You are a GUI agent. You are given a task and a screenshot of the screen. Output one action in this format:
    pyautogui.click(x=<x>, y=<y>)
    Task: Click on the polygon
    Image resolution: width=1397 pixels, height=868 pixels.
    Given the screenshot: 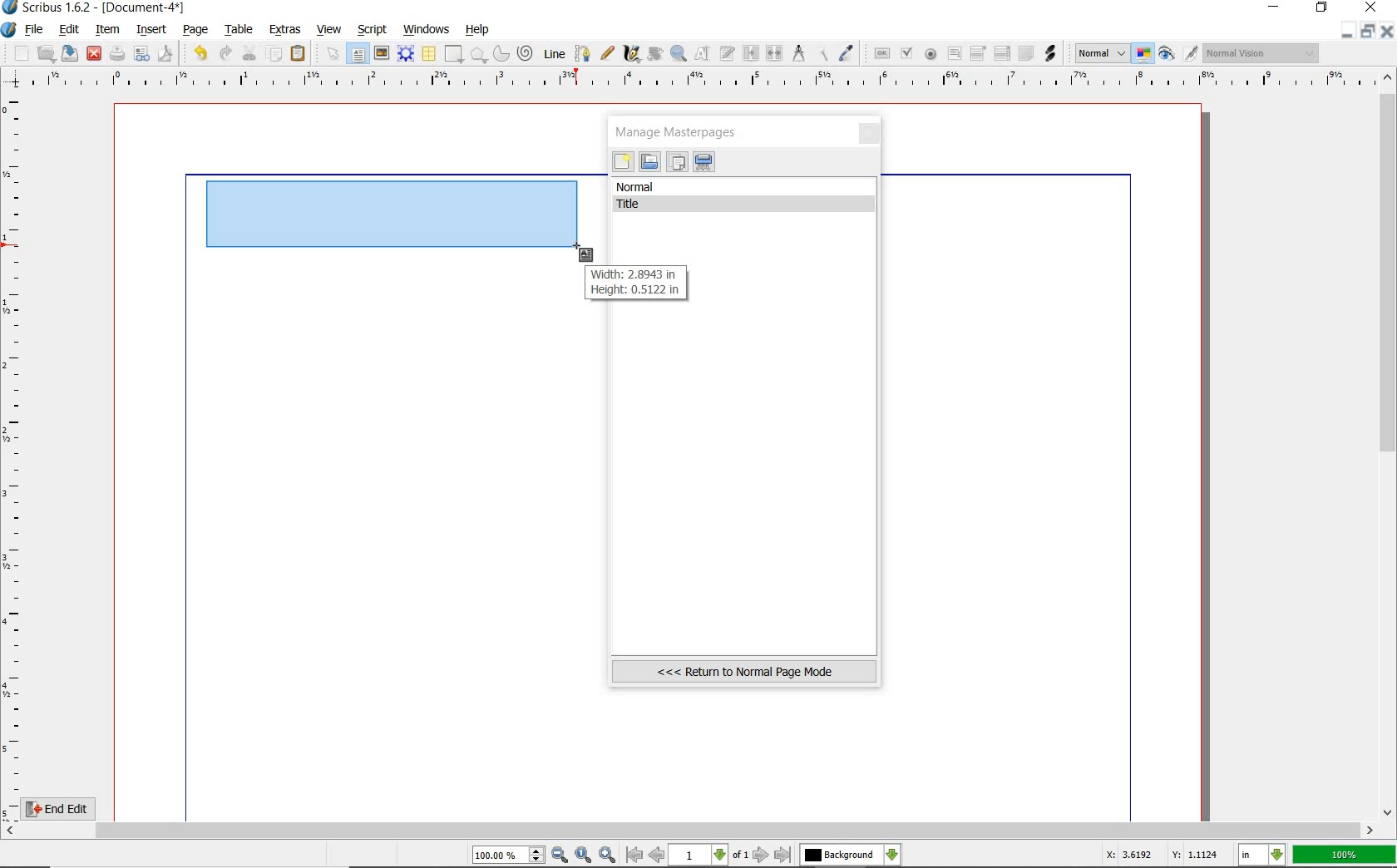 What is the action you would take?
    pyautogui.click(x=478, y=56)
    